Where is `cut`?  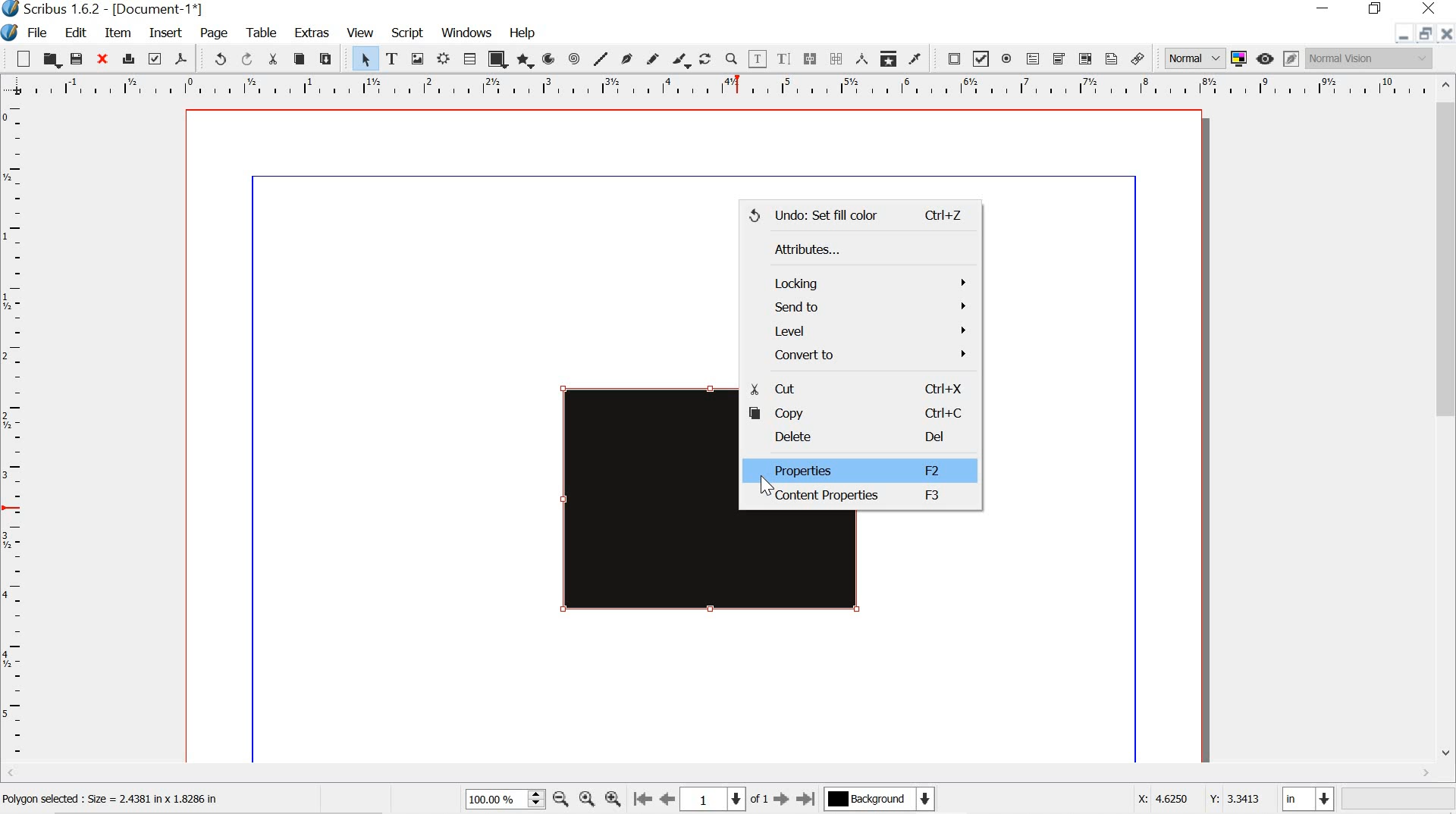
cut is located at coordinates (275, 61).